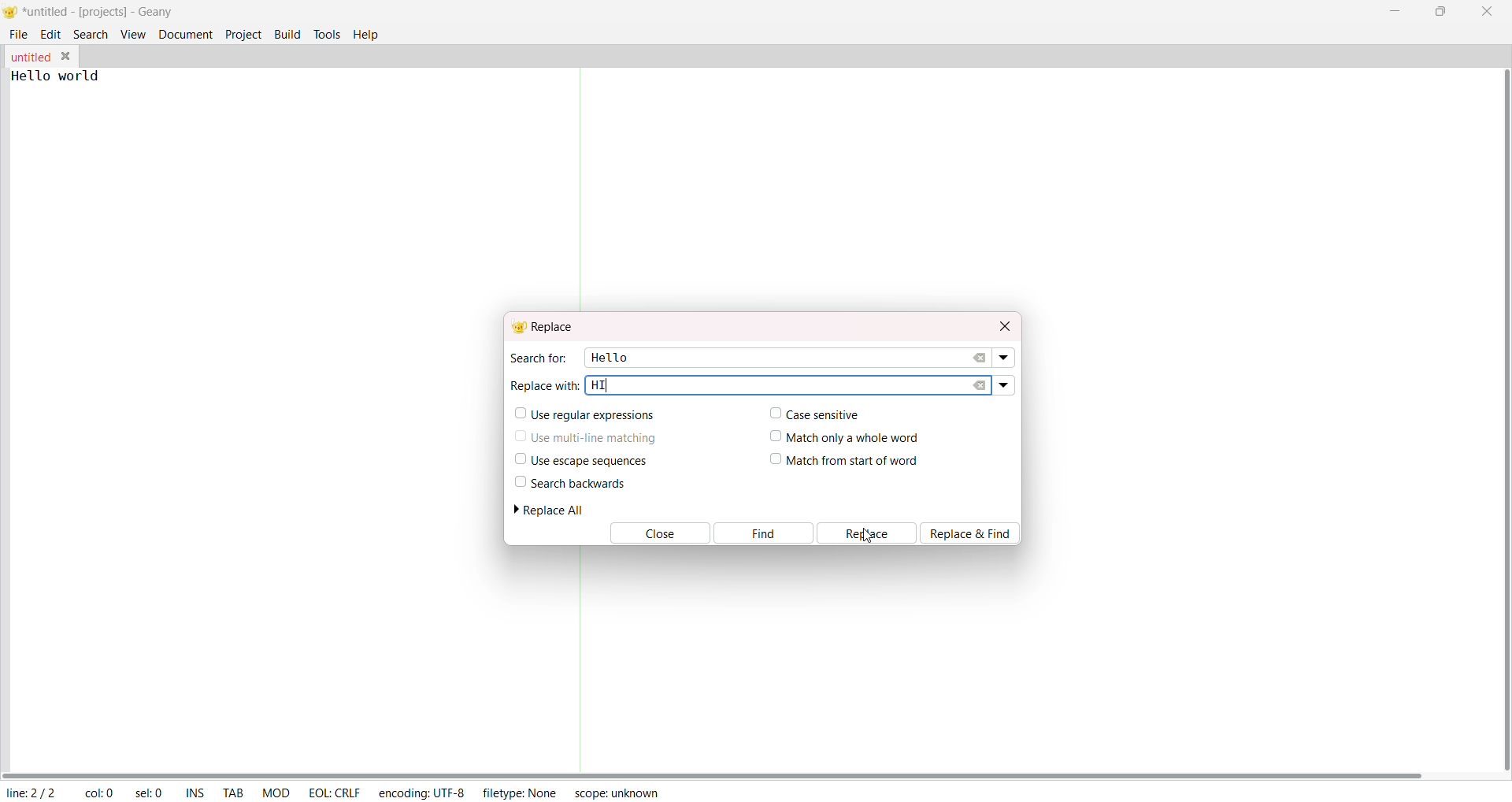 The width and height of the screenshot is (1512, 802). What do you see at coordinates (547, 327) in the screenshot?
I see `replace` at bounding box center [547, 327].